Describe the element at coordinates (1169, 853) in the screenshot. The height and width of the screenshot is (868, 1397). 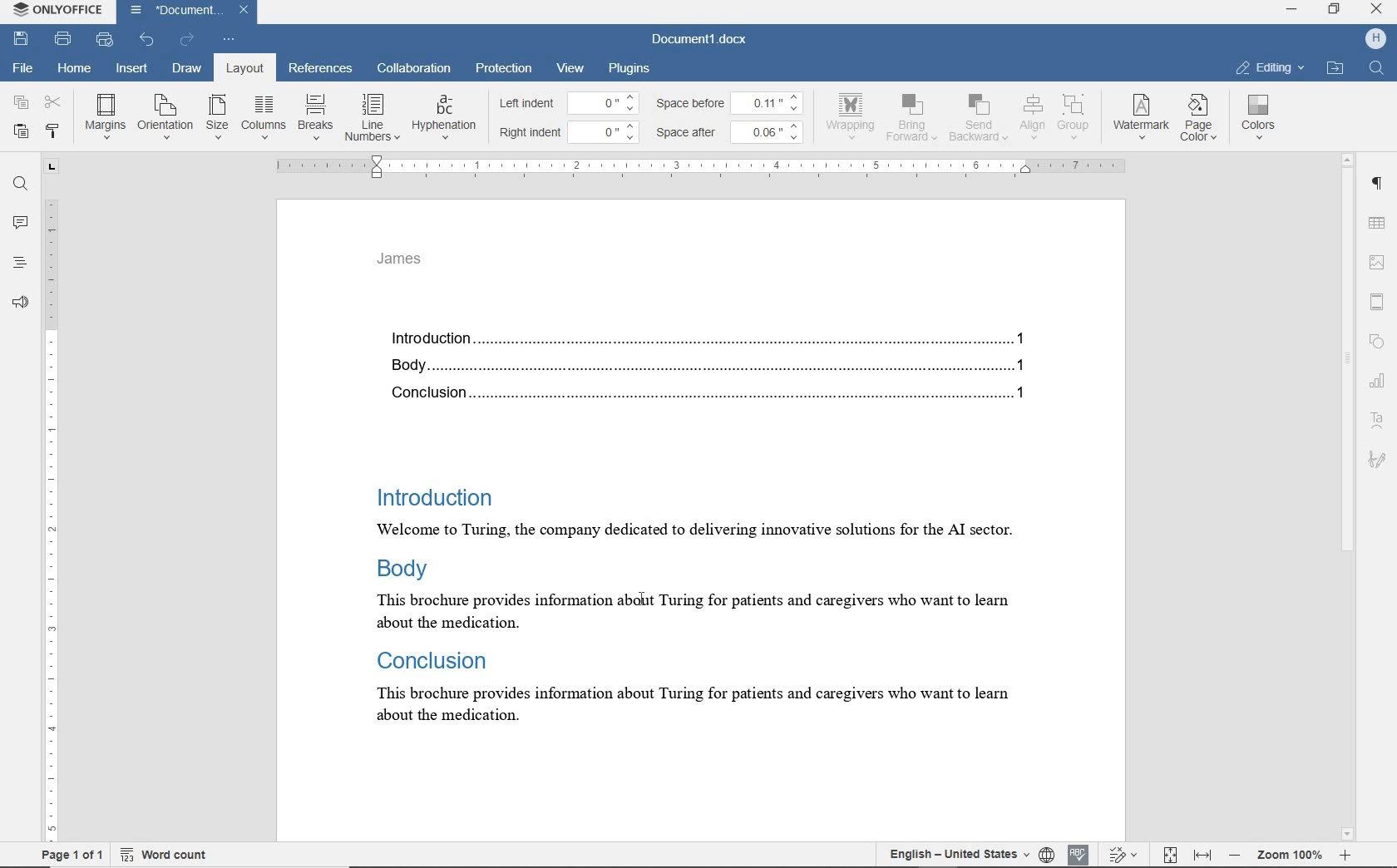
I see `fit to page` at that location.